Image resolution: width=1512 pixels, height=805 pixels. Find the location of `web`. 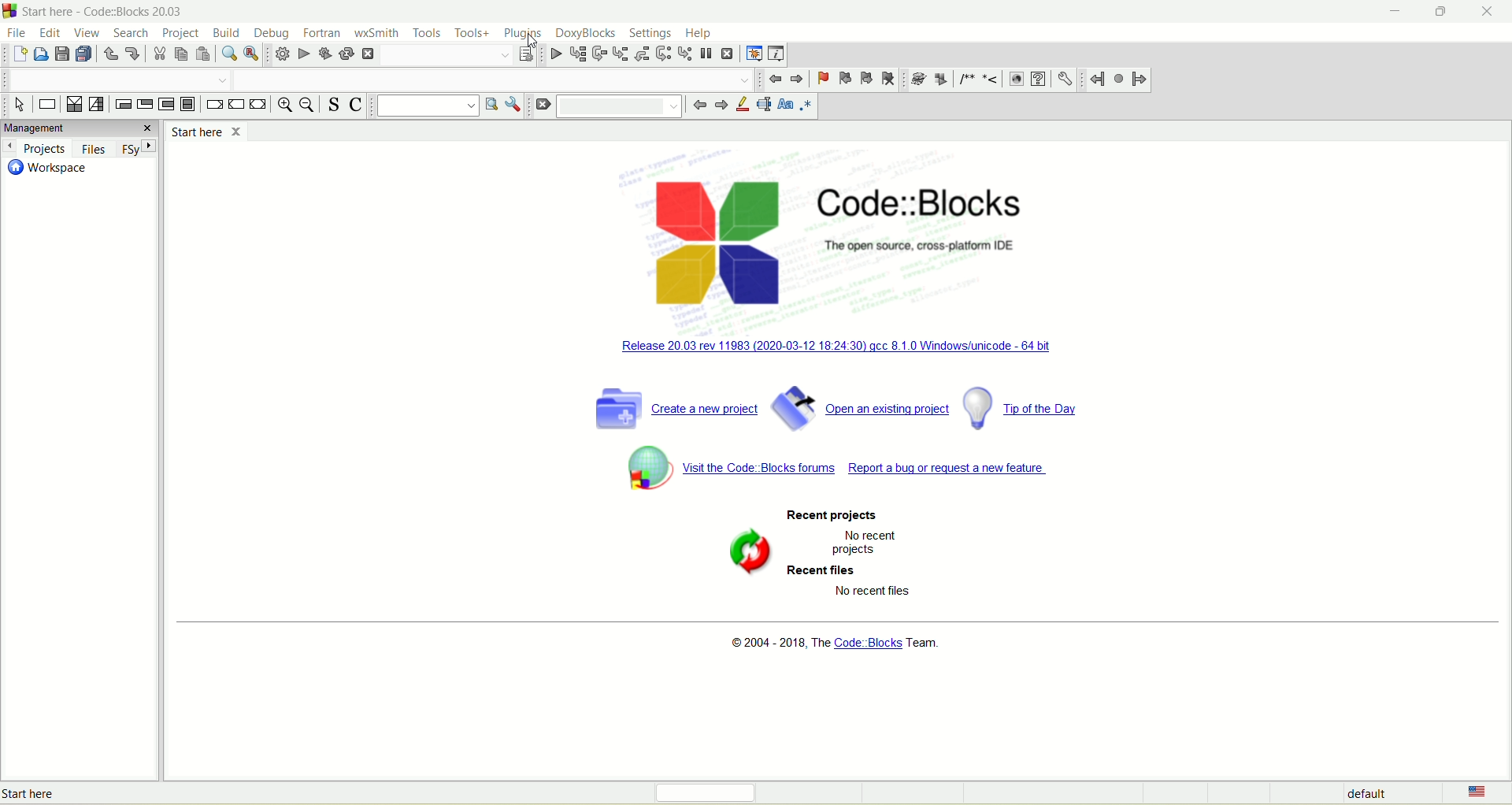

web is located at coordinates (1016, 80).